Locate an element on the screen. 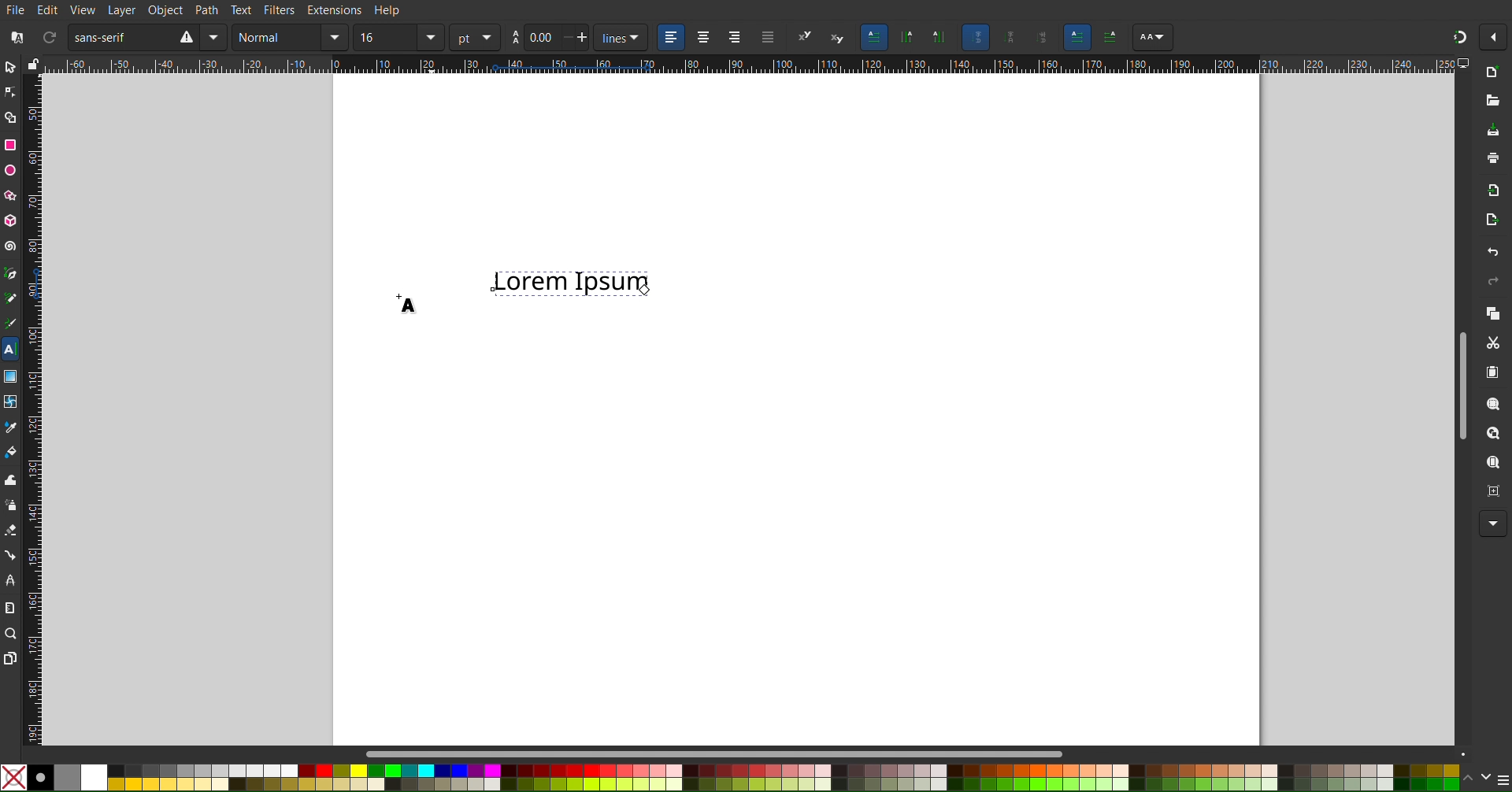  New is located at coordinates (1497, 71).